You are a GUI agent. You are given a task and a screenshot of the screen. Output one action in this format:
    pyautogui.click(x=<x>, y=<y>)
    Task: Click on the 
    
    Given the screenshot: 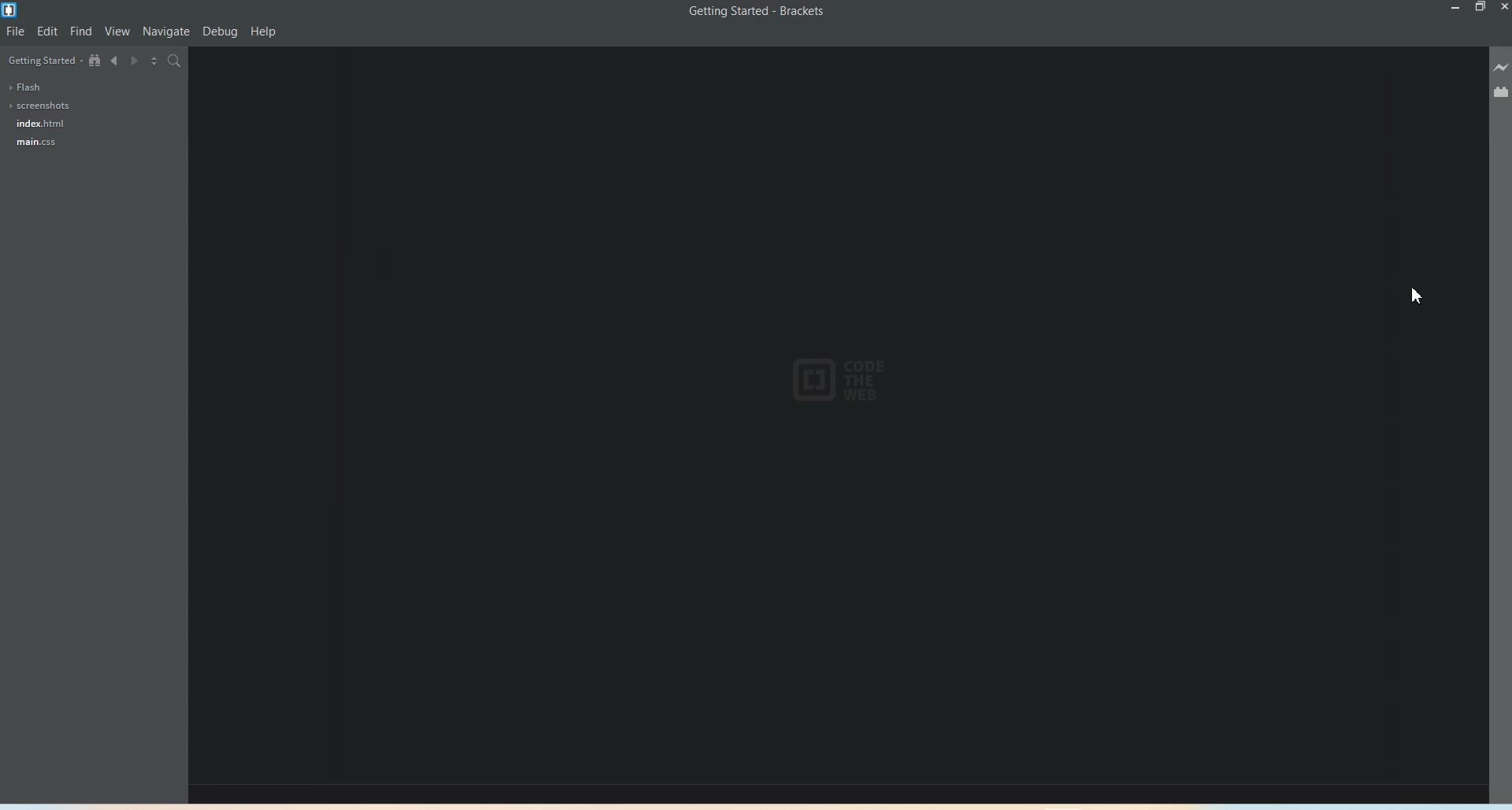 What is the action you would take?
    pyautogui.click(x=821, y=417)
    